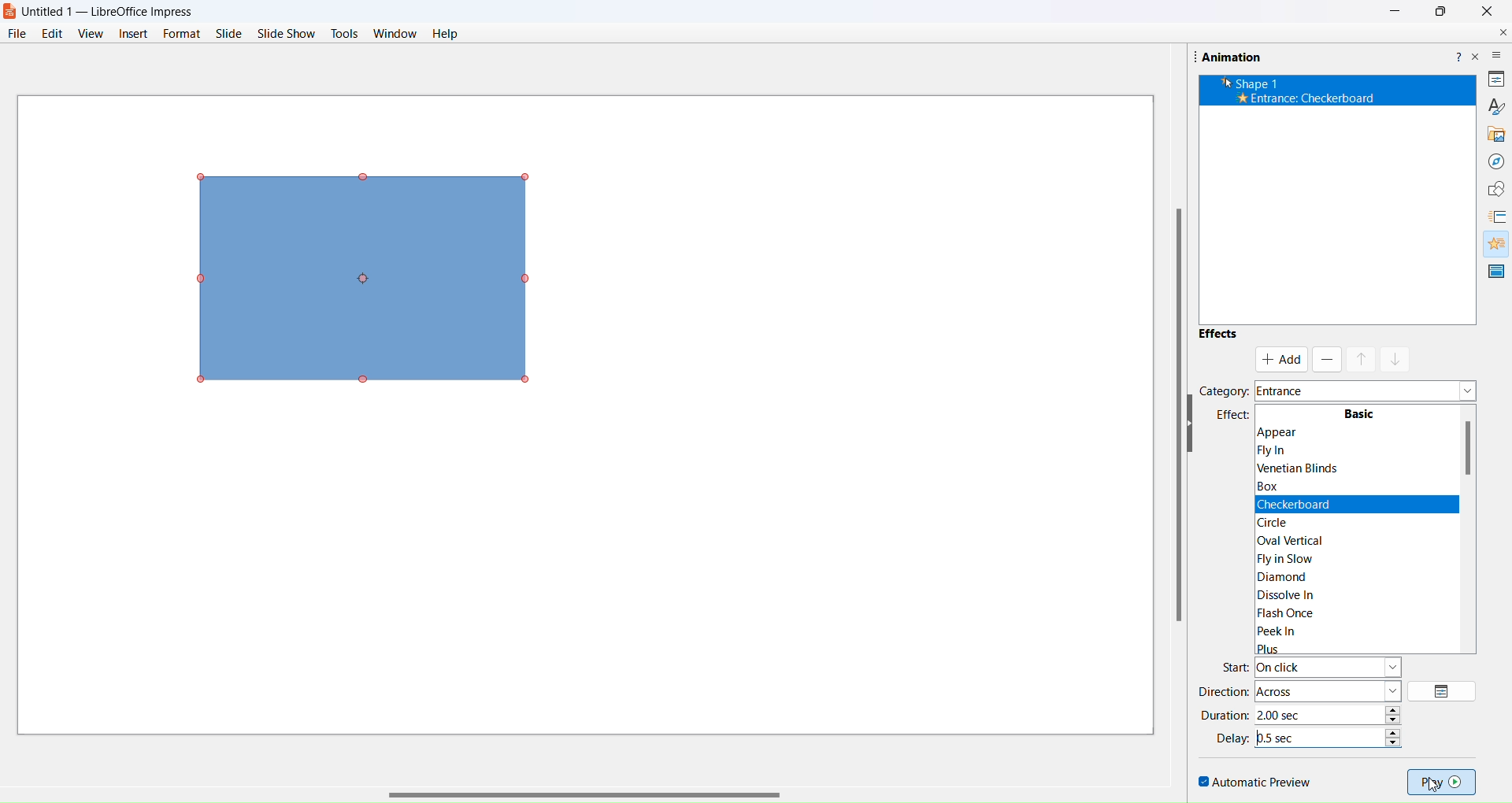 The width and height of the screenshot is (1512, 803). What do you see at coordinates (1234, 738) in the screenshot?
I see `delay` at bounding box center [1234, 738].